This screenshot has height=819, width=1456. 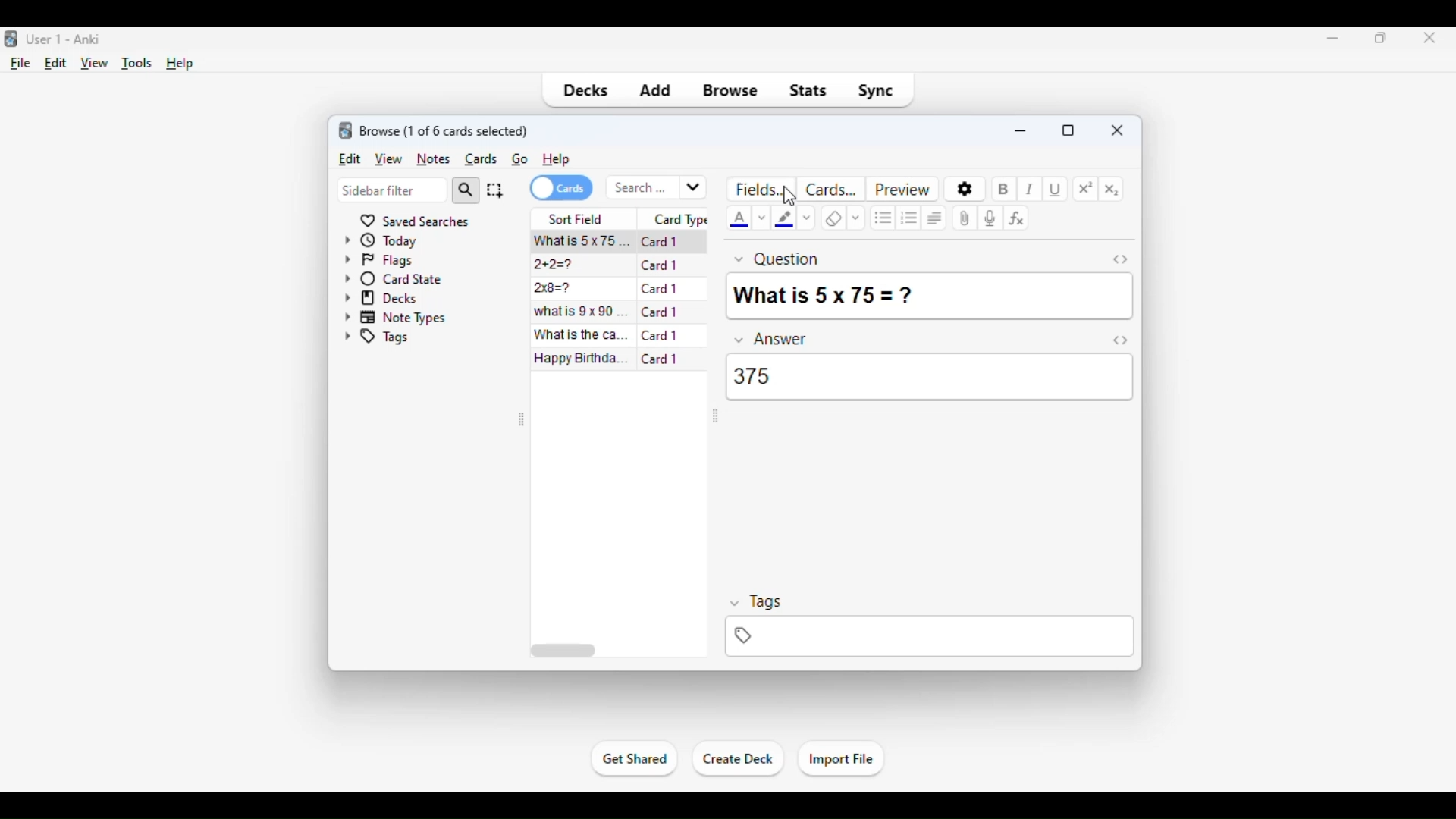 I want to click on create deck, so click(x=739, y=759).